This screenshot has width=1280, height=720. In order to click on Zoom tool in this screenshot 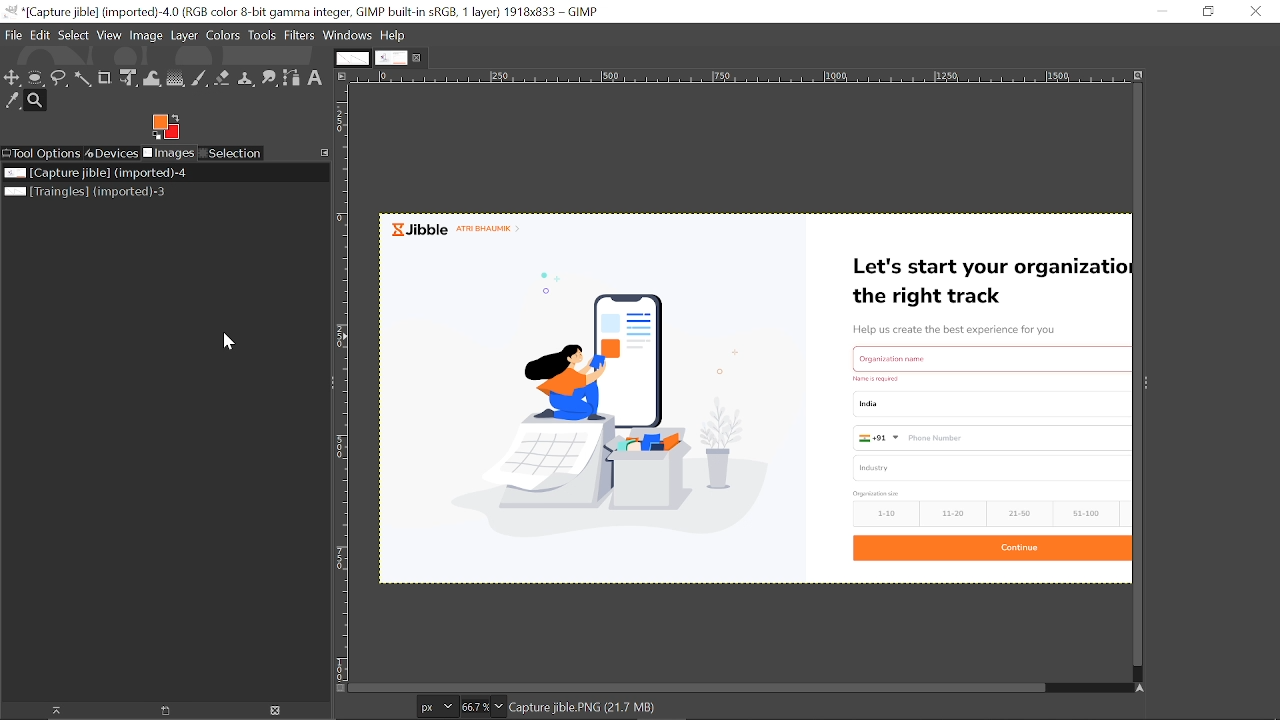, I will do `click(38, 101)`.